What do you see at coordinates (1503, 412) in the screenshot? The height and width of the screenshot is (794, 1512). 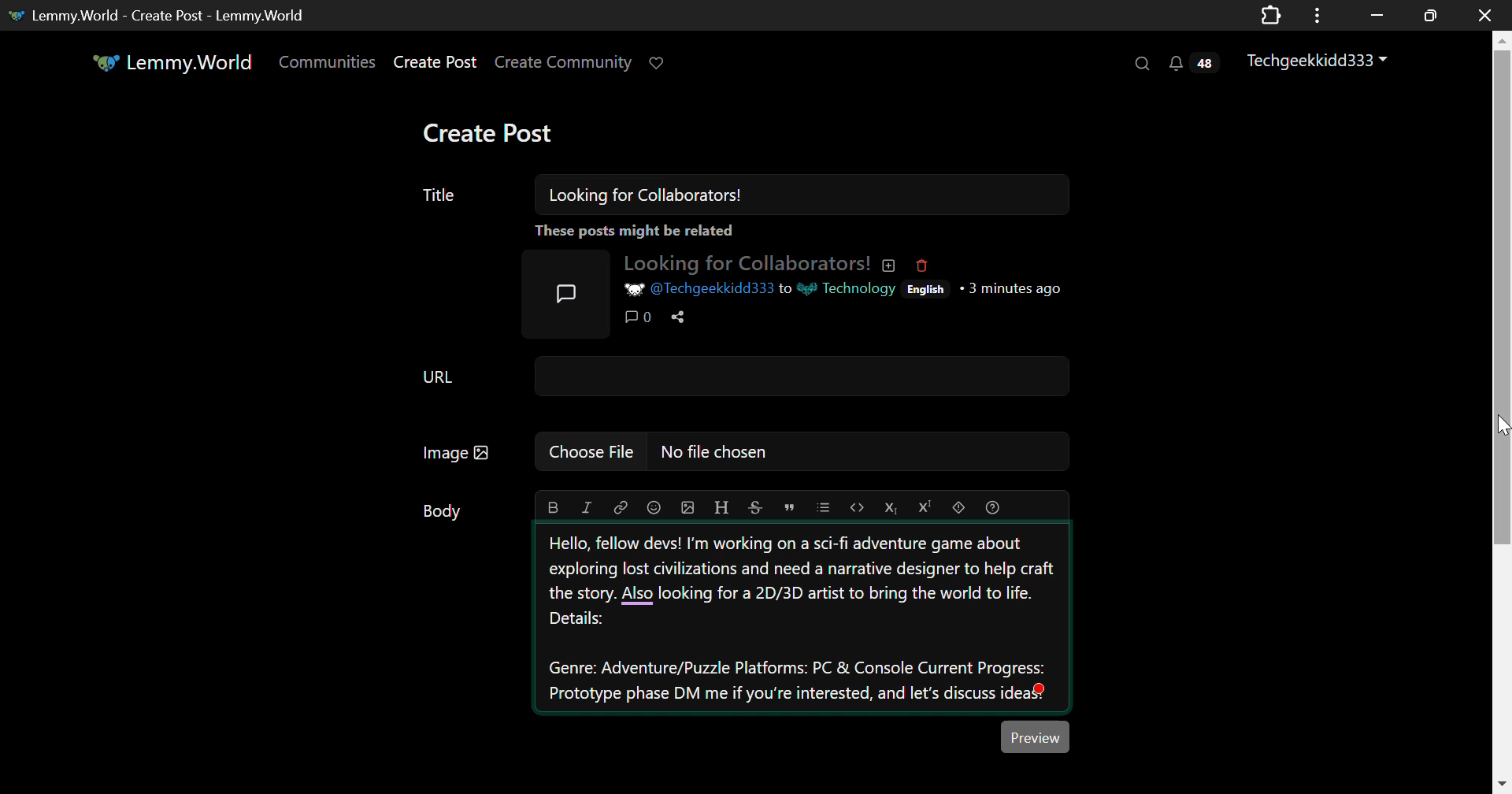 I see `Vertical Scroll Bar` at bounding box center [1503, 412].